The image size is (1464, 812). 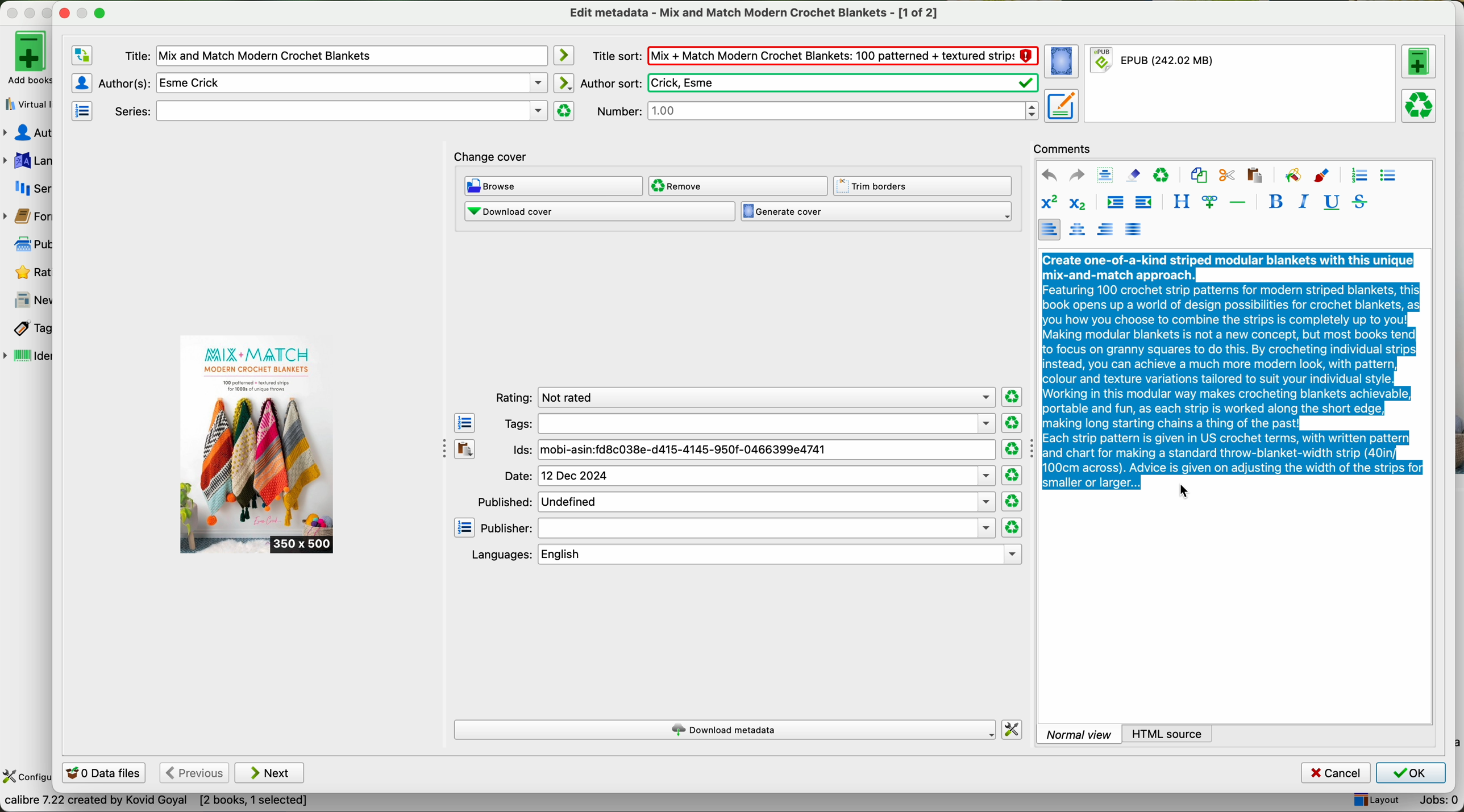 What do you see at coordinates (99, 12) in the screenshot?
I see `maximize windows` at bounding box center [99, 12].